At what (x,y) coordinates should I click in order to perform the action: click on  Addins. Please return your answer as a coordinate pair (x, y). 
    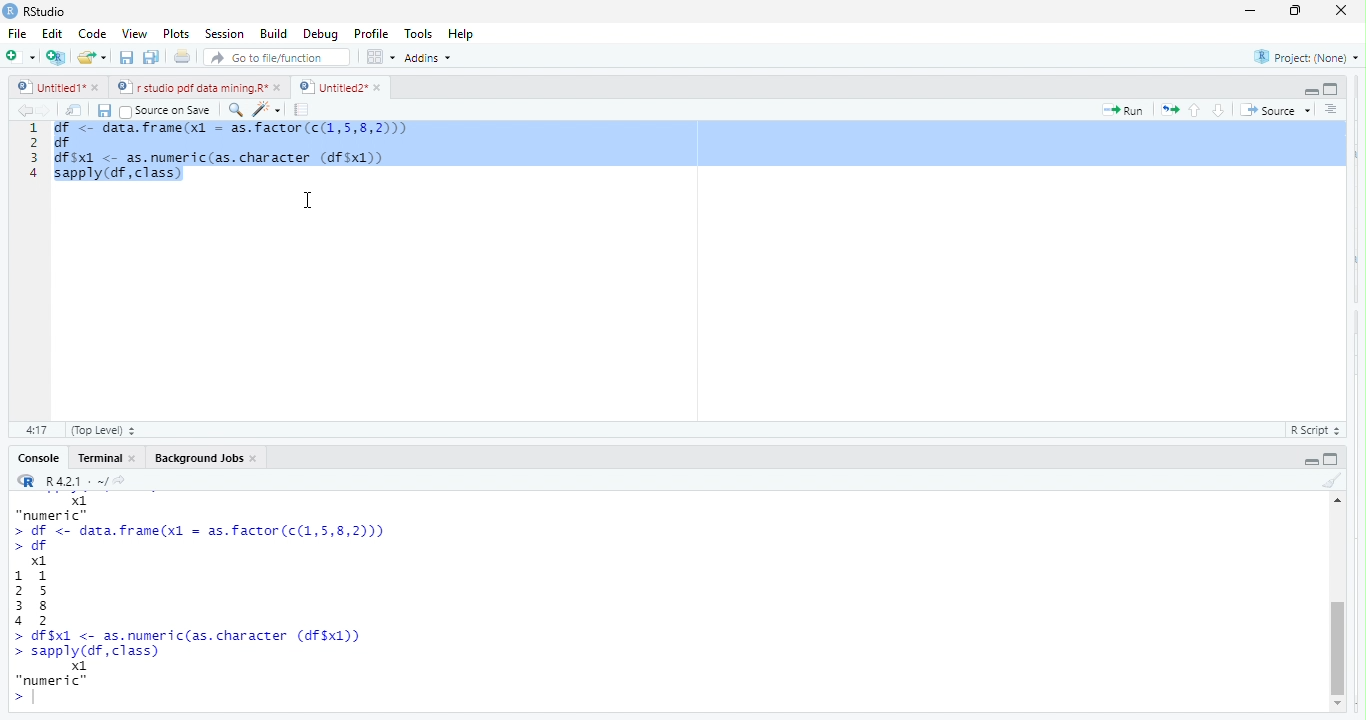
    Looking at the image, I should click on (432, 58).